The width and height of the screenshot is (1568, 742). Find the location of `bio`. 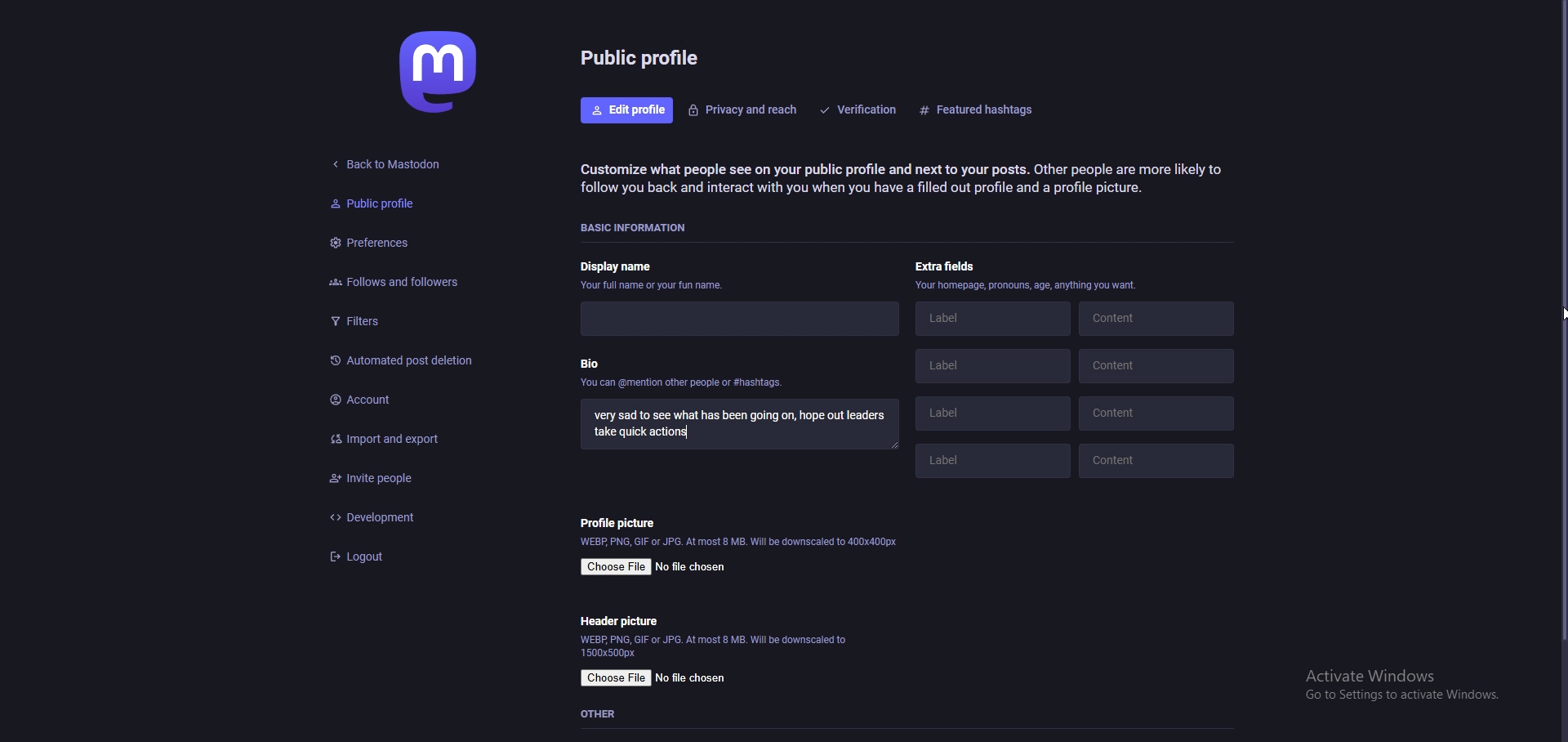

bio is located at coordinates (684, 371).